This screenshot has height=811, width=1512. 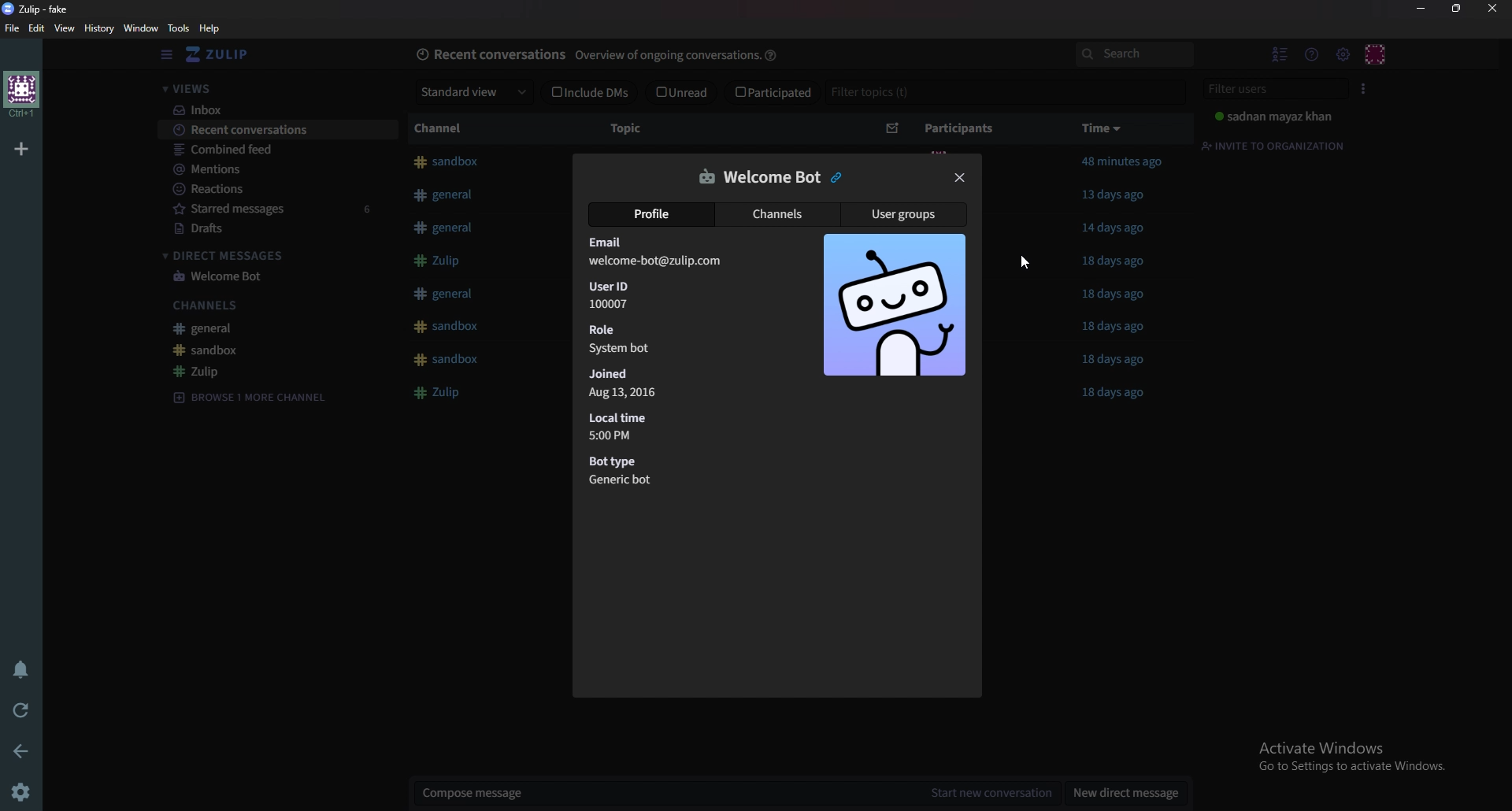 I want to click on Hide sidebar, so click(x=165, y=55).